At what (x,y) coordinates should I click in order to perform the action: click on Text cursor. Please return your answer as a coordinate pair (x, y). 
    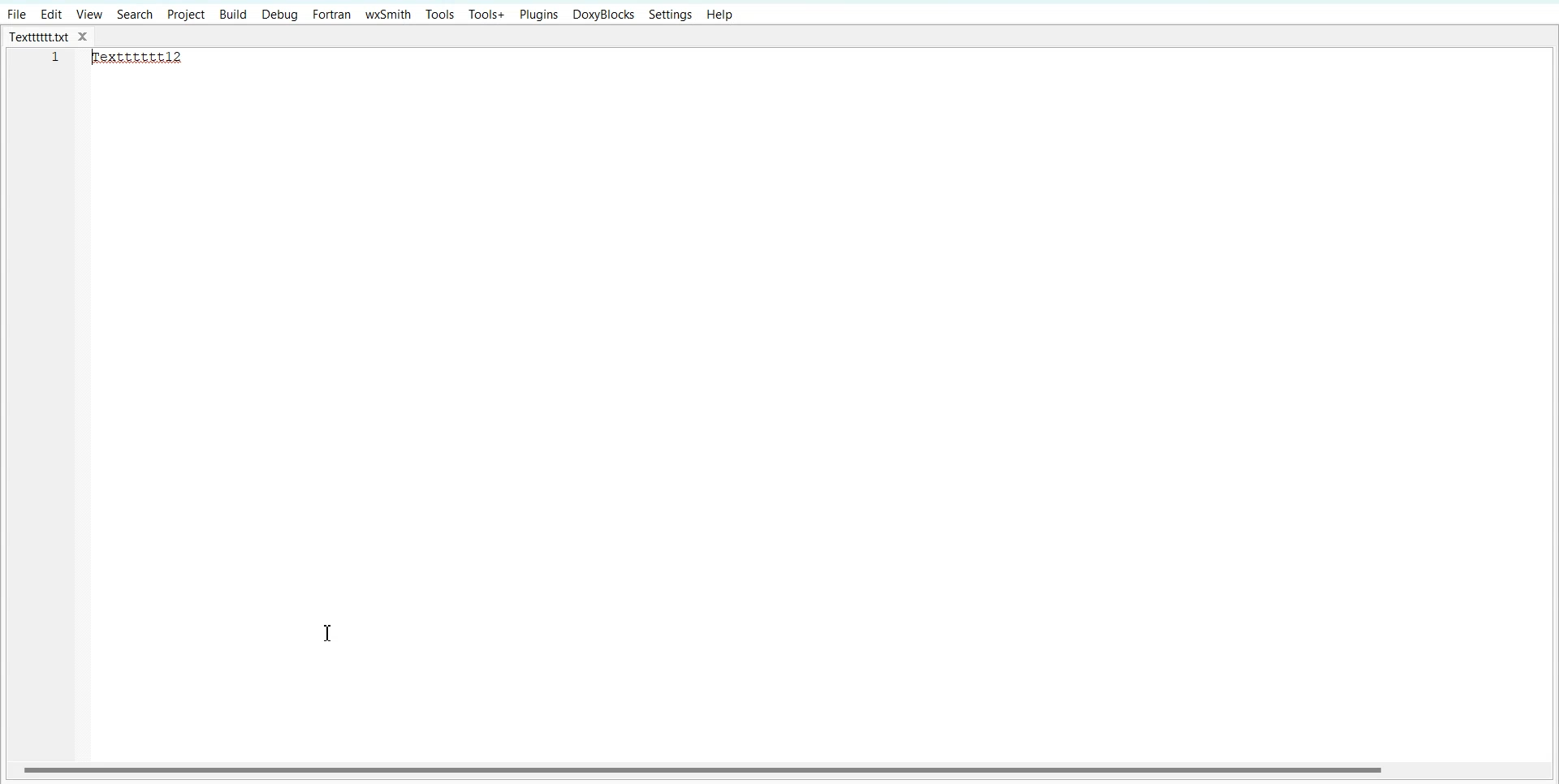
    Looking at the image, I should click on (328, 634).